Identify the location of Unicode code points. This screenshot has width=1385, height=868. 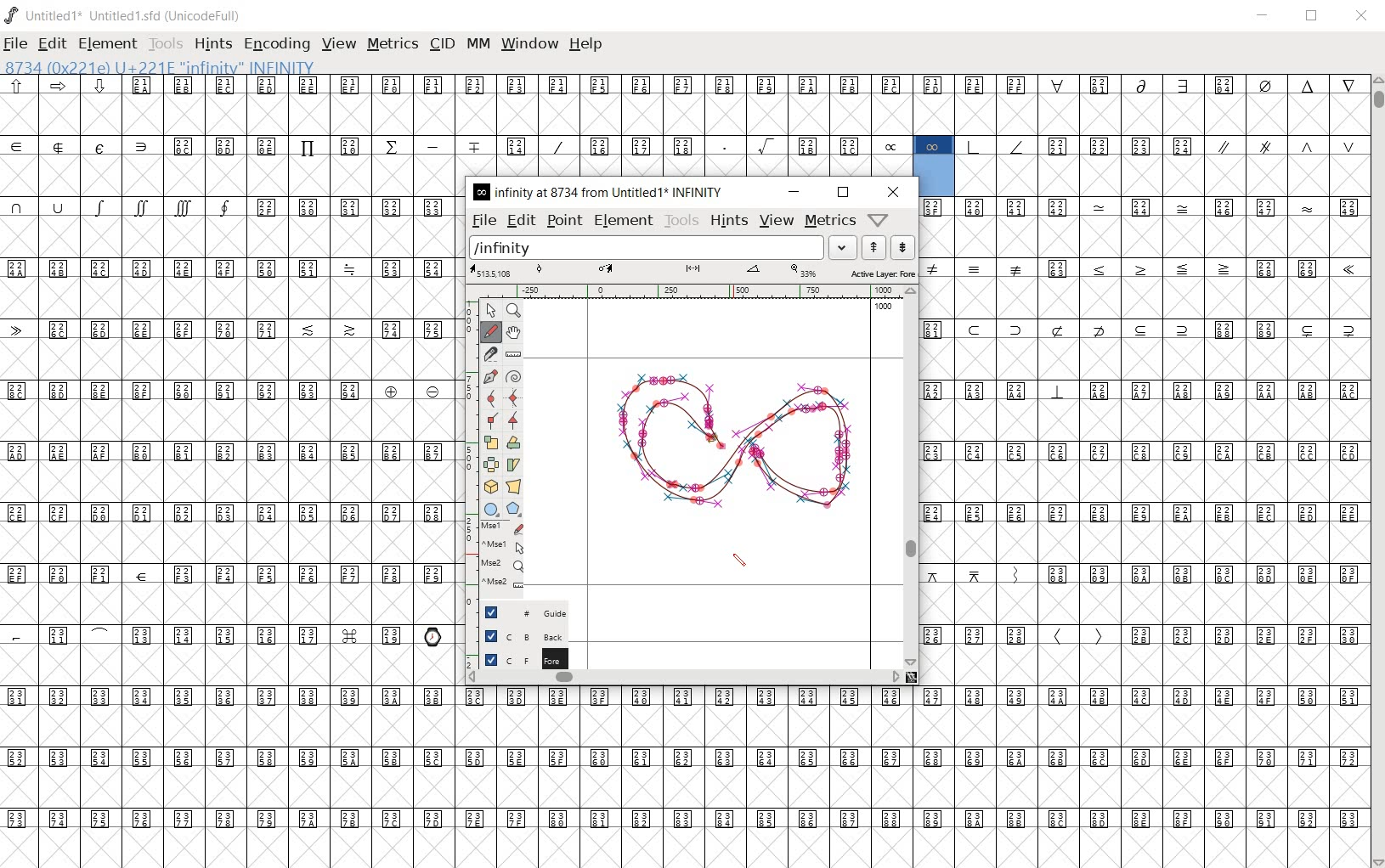
(1145, 513).